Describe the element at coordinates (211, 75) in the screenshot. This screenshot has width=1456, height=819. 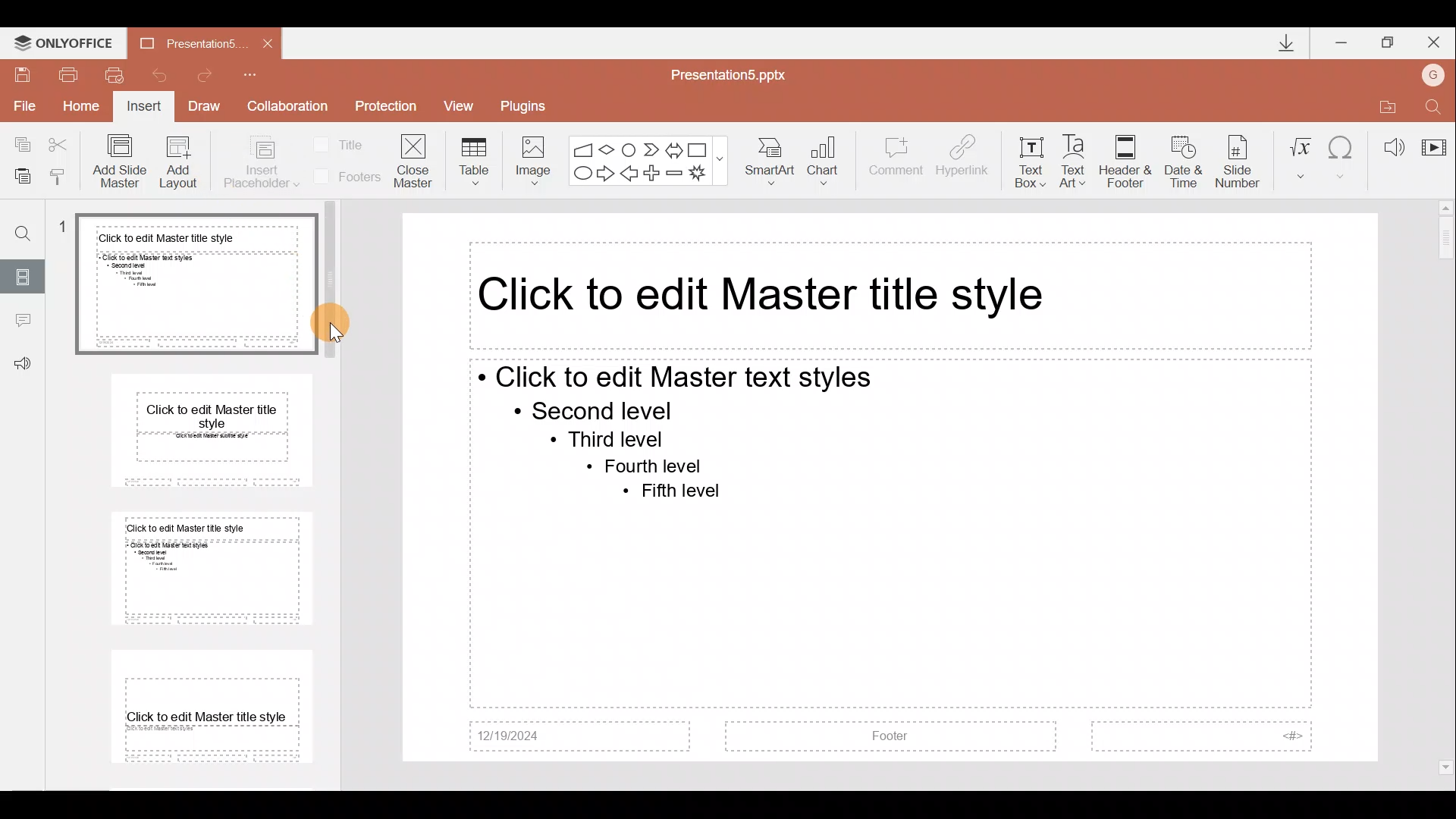
I see `Redo` at that location.